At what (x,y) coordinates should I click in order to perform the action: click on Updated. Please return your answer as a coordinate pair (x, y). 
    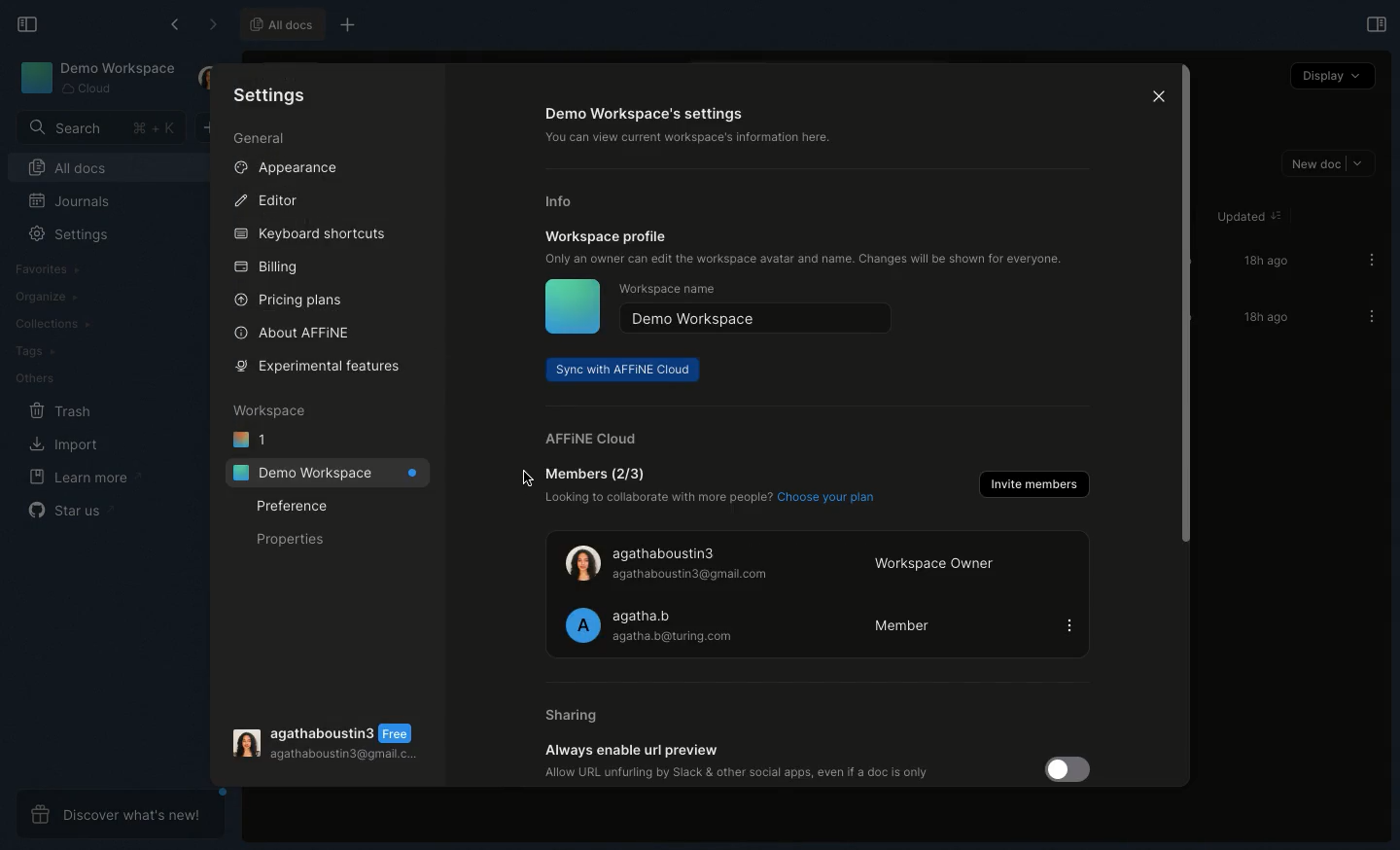
    Looking at the image, I should click on (1244, 218).